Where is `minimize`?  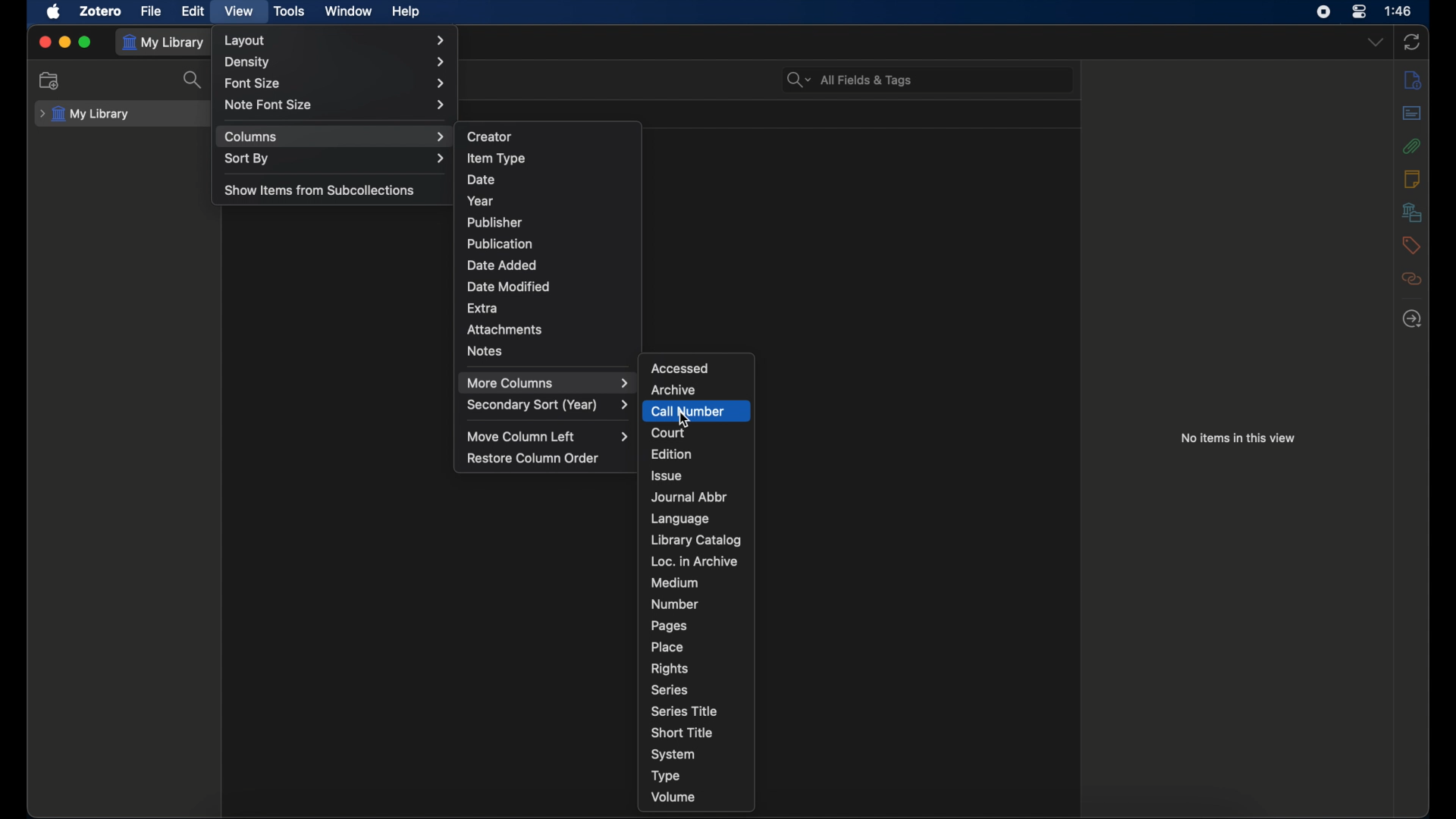 minimize is located at coordinates (64, 42).